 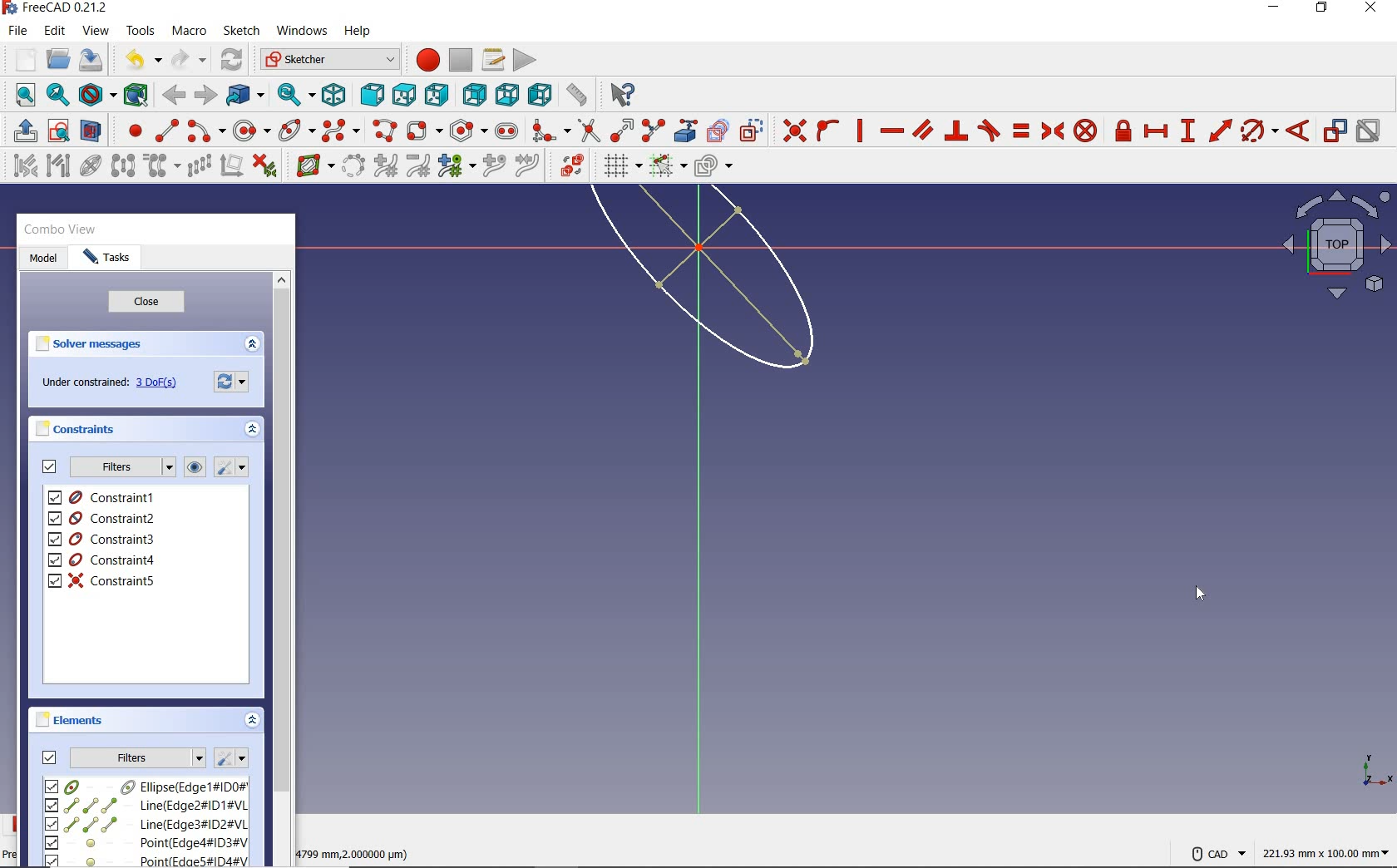 I want to click on help, so click(x=357, y=32).